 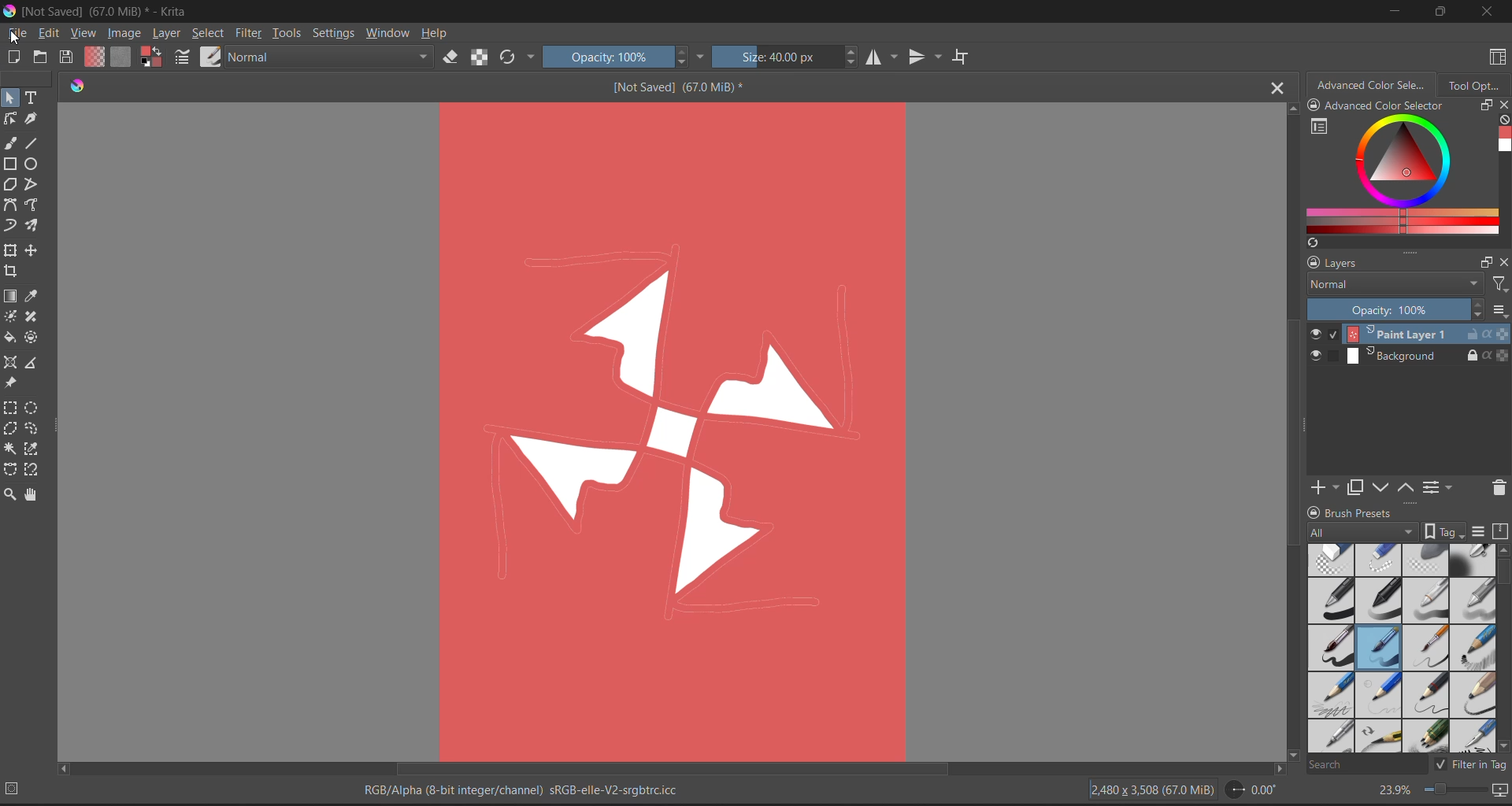 What do you see at coordinates (32, 143) in the screenshot?
I see `tools` at bounding box center [32, 143].